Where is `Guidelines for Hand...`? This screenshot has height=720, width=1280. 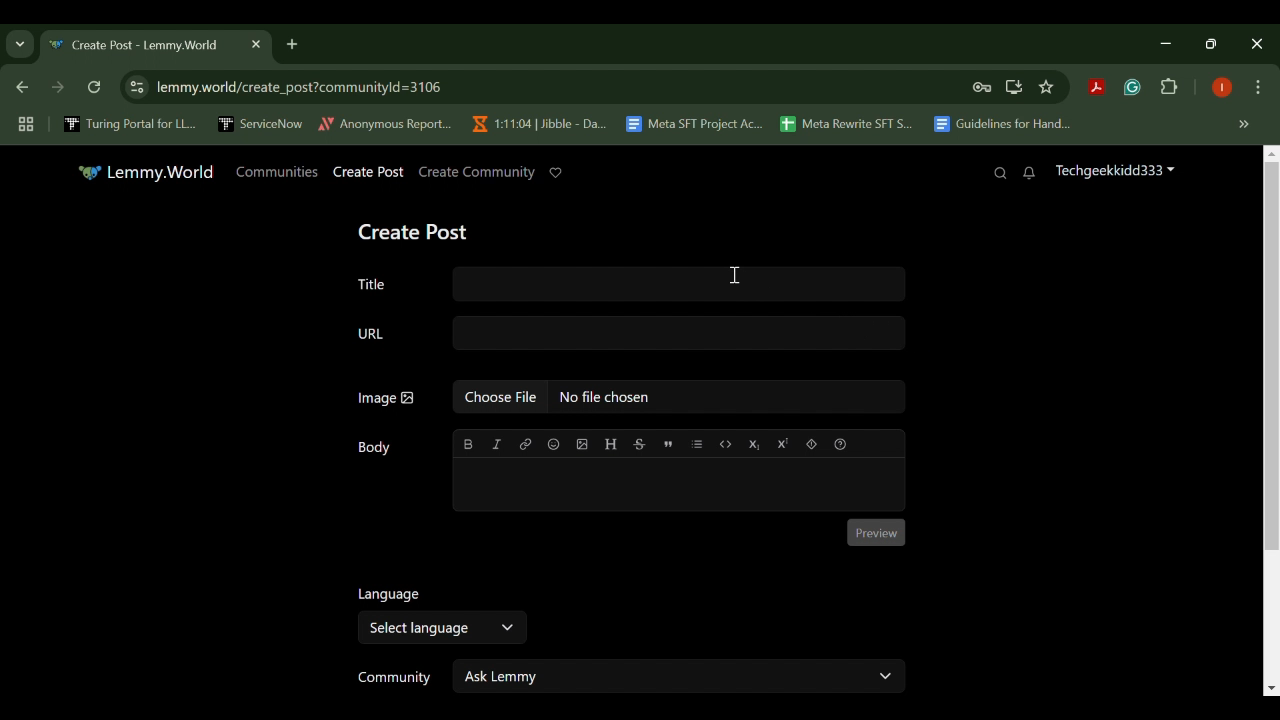
Guidelines for Hand... is located at coordinates (1000, 124).